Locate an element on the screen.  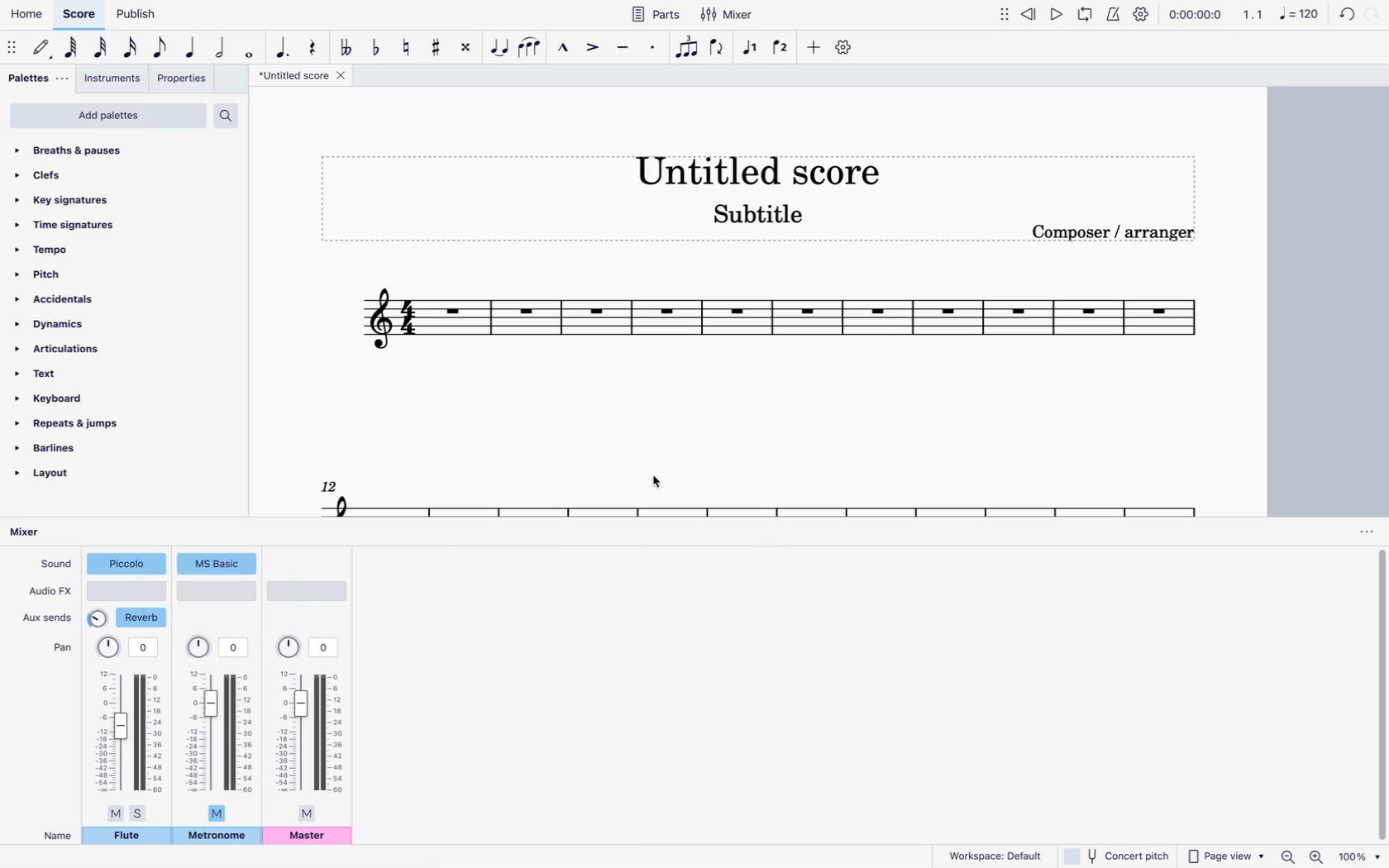
pan is located at coordinates (61, 646).